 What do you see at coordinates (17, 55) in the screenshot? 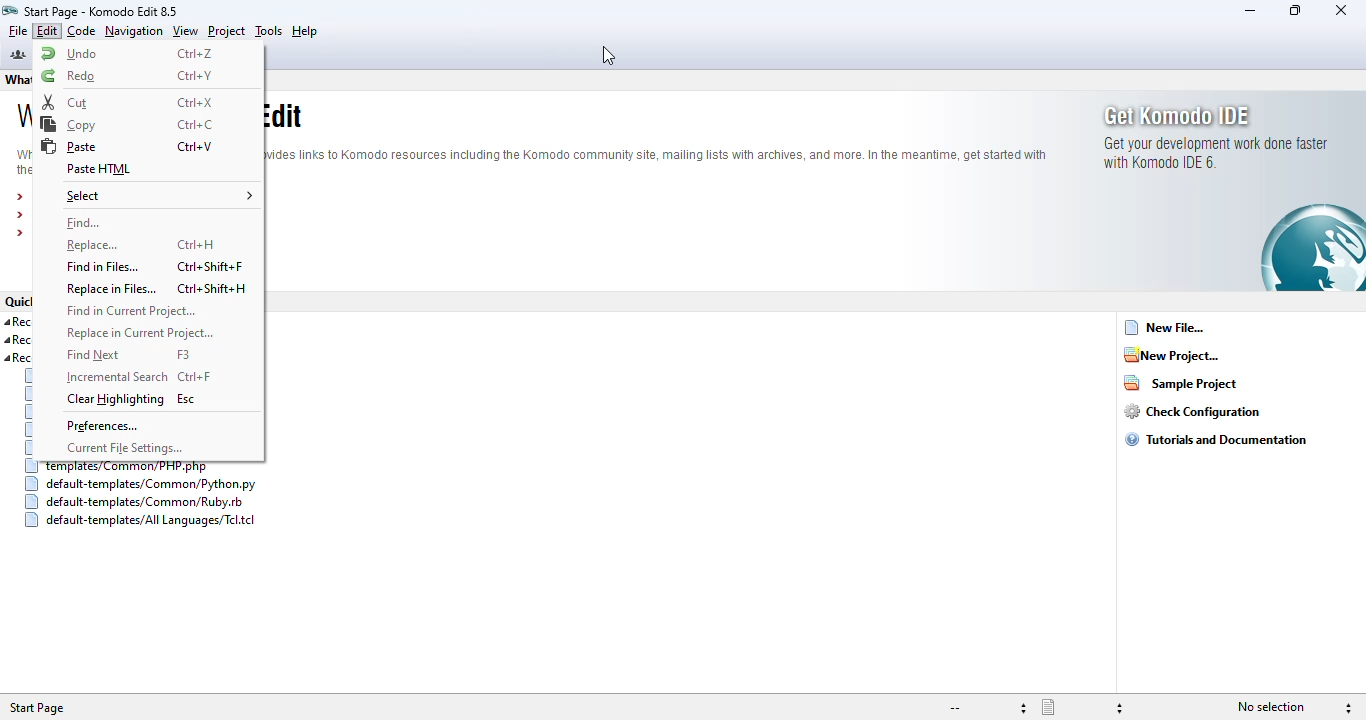
I see `komodo community` at bounding box center [17, 55].